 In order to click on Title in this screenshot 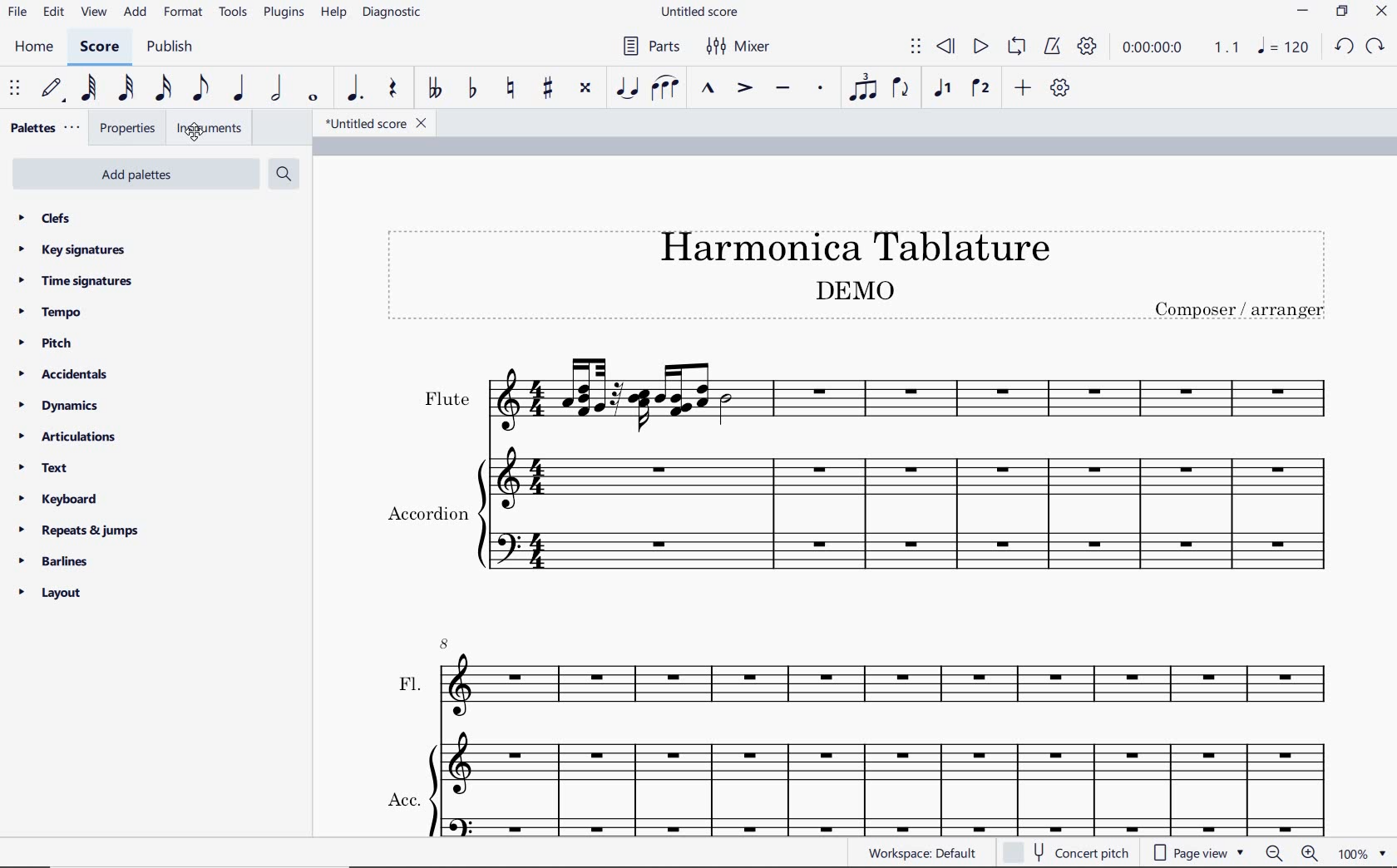, I will do `click(850, 279)`.